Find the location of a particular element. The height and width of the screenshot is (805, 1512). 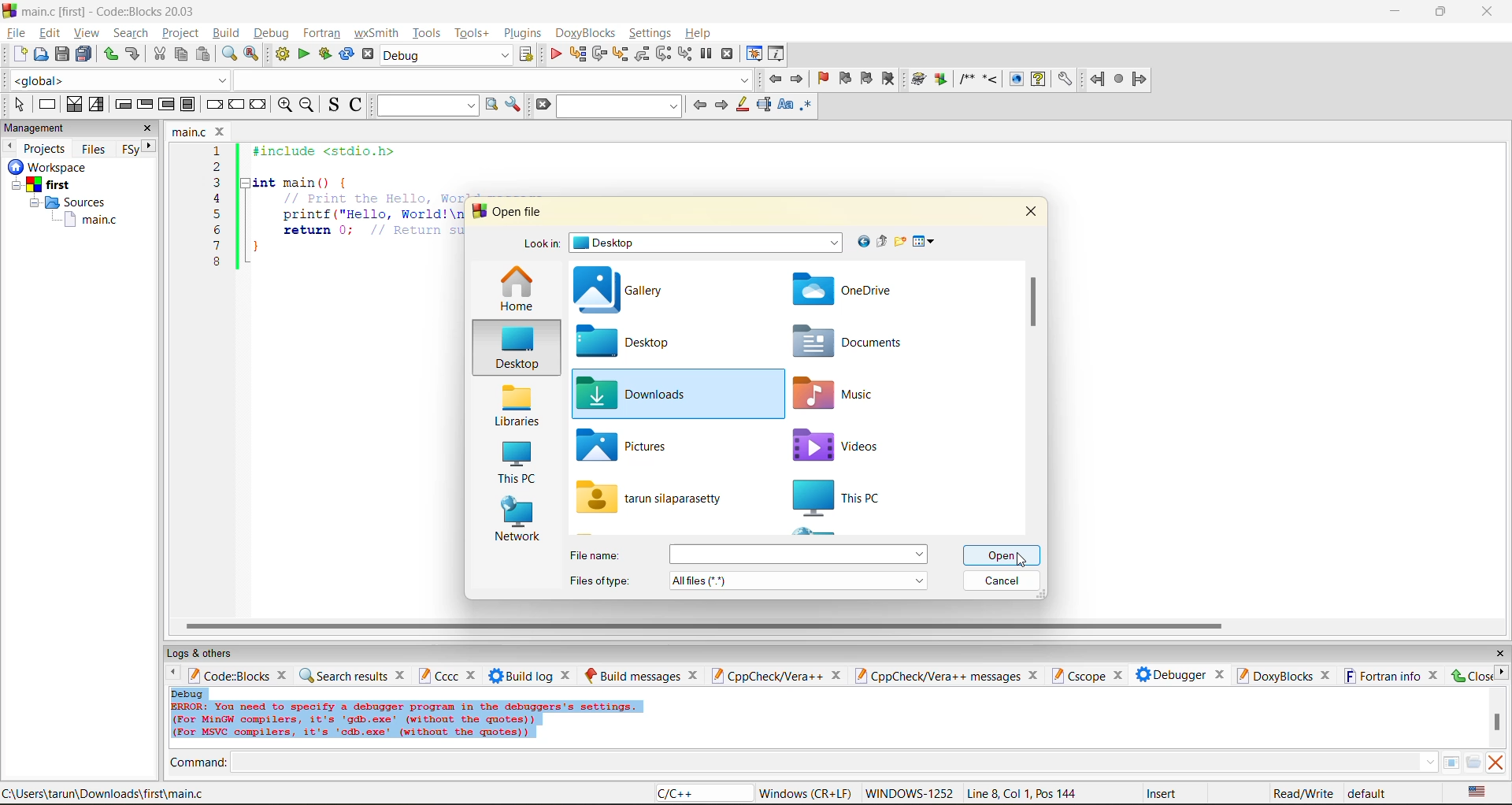

line8, col 1, pos 144 is located at coordinates (1025, 793).